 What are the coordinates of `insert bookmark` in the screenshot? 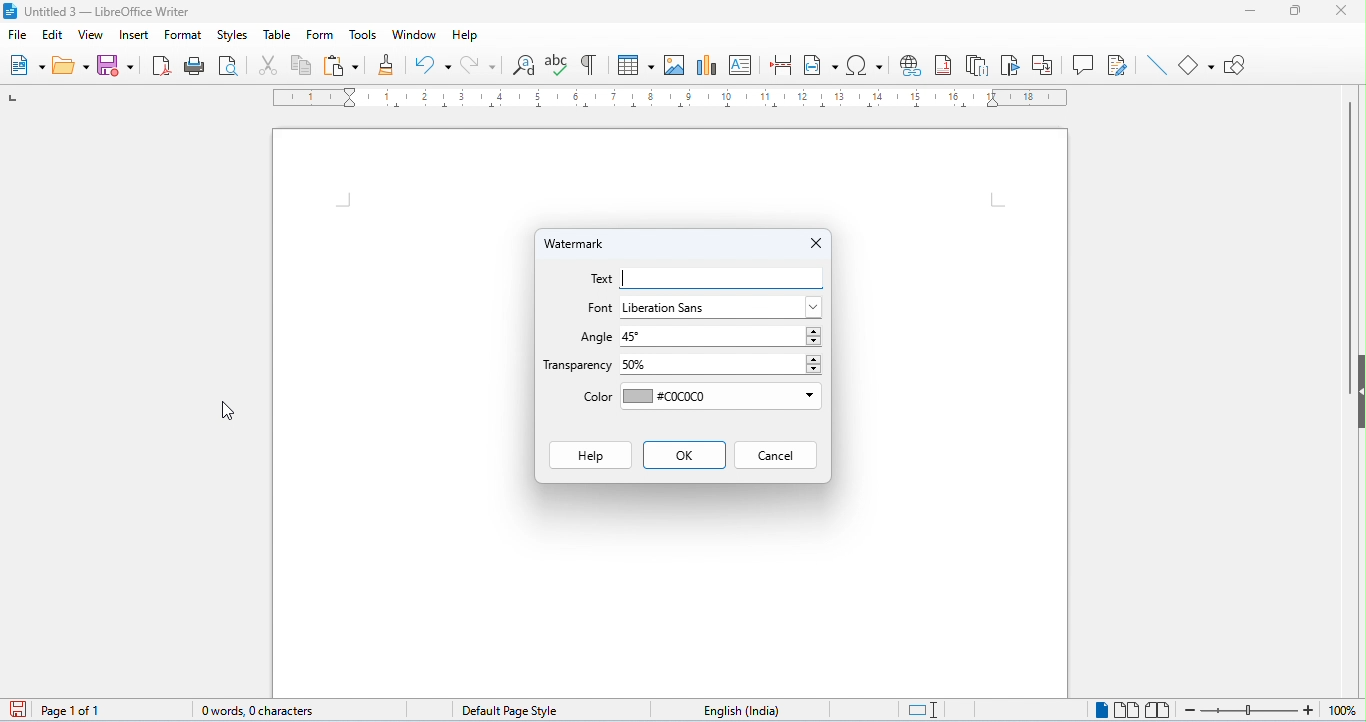 It's located at (1012, 65).